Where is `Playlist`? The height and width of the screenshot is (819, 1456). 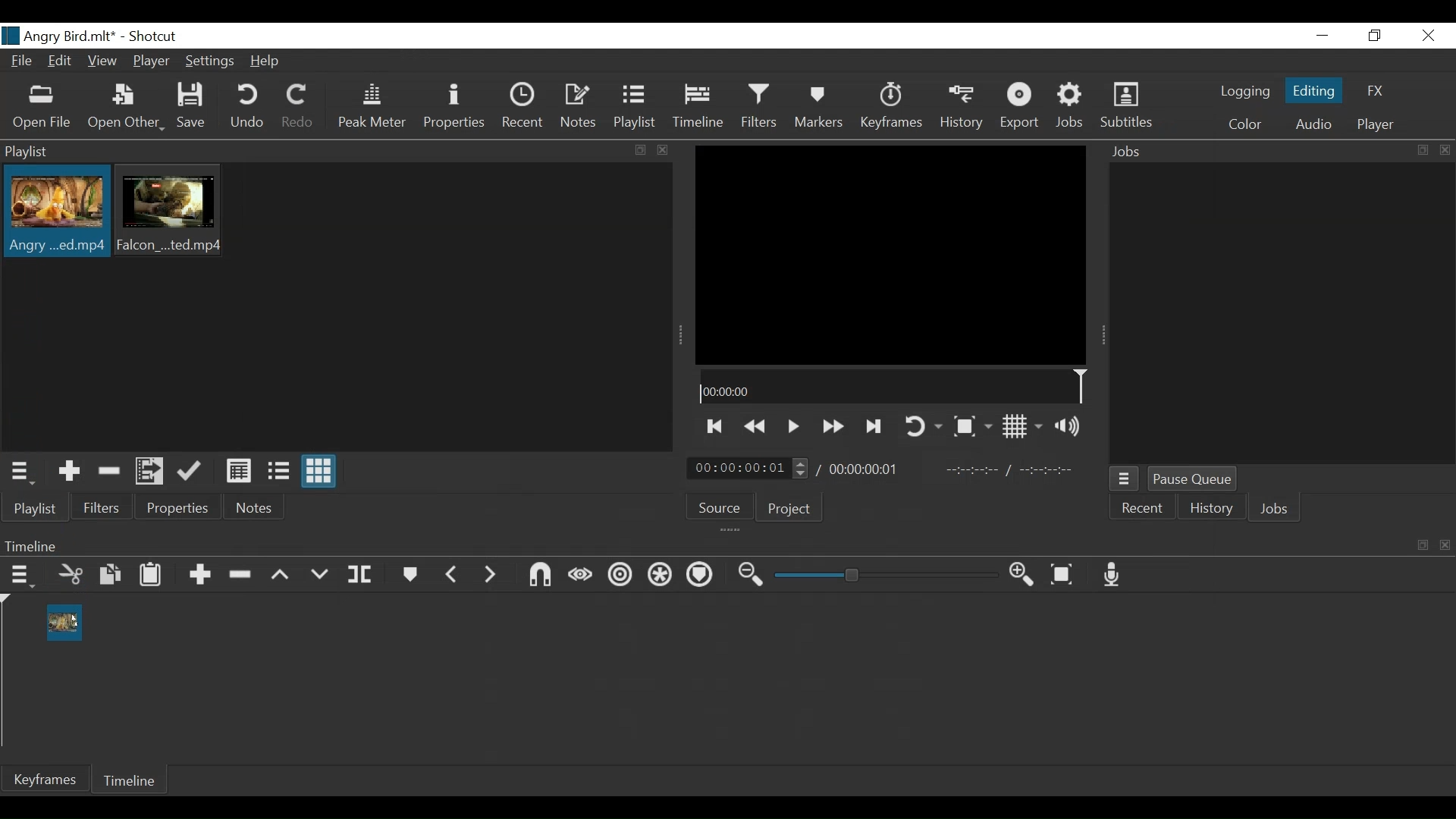 Playlist is located at coordinates (638, 106).